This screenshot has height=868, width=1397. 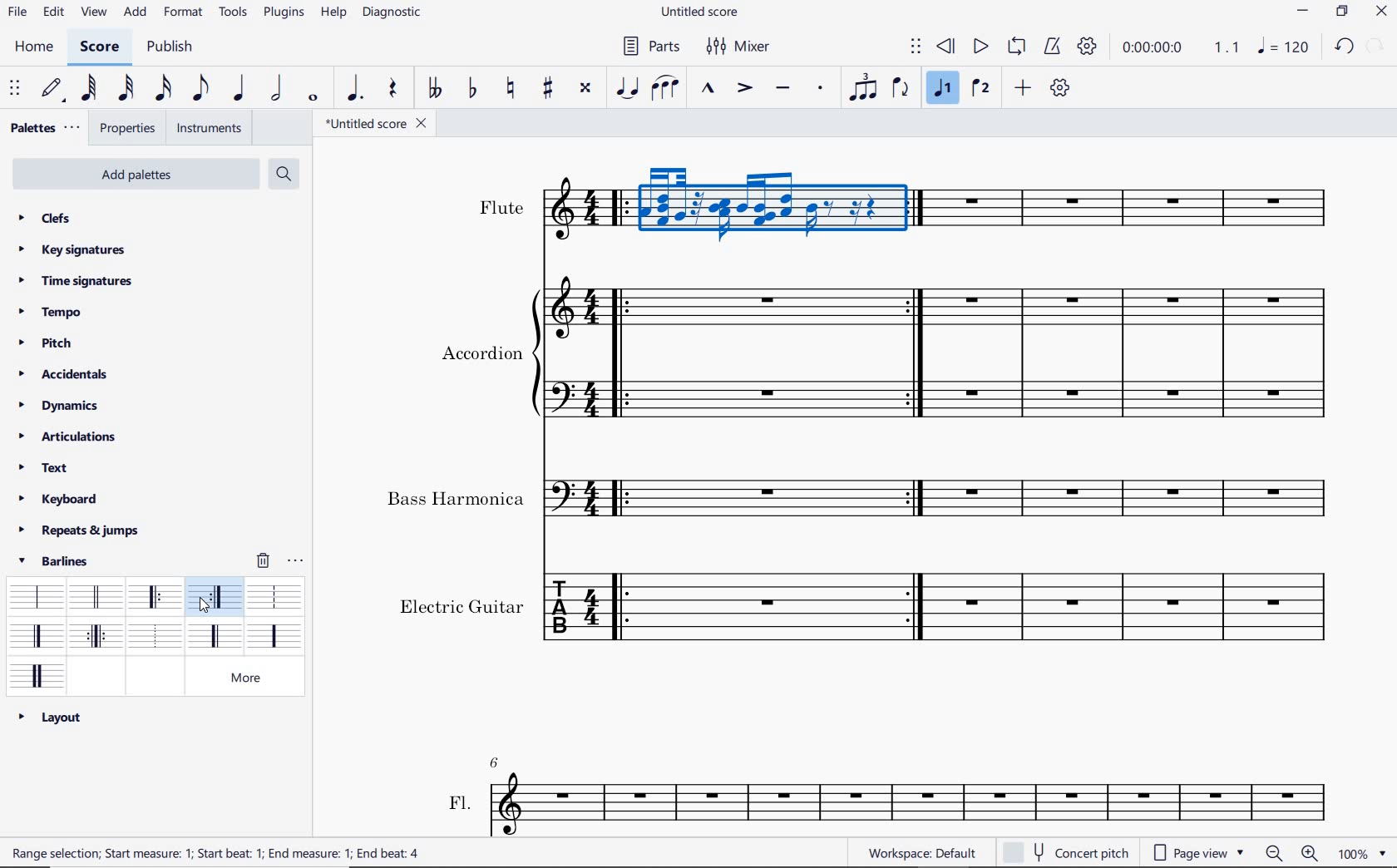 I want to click on metronome, so click(x=1055, y=47).